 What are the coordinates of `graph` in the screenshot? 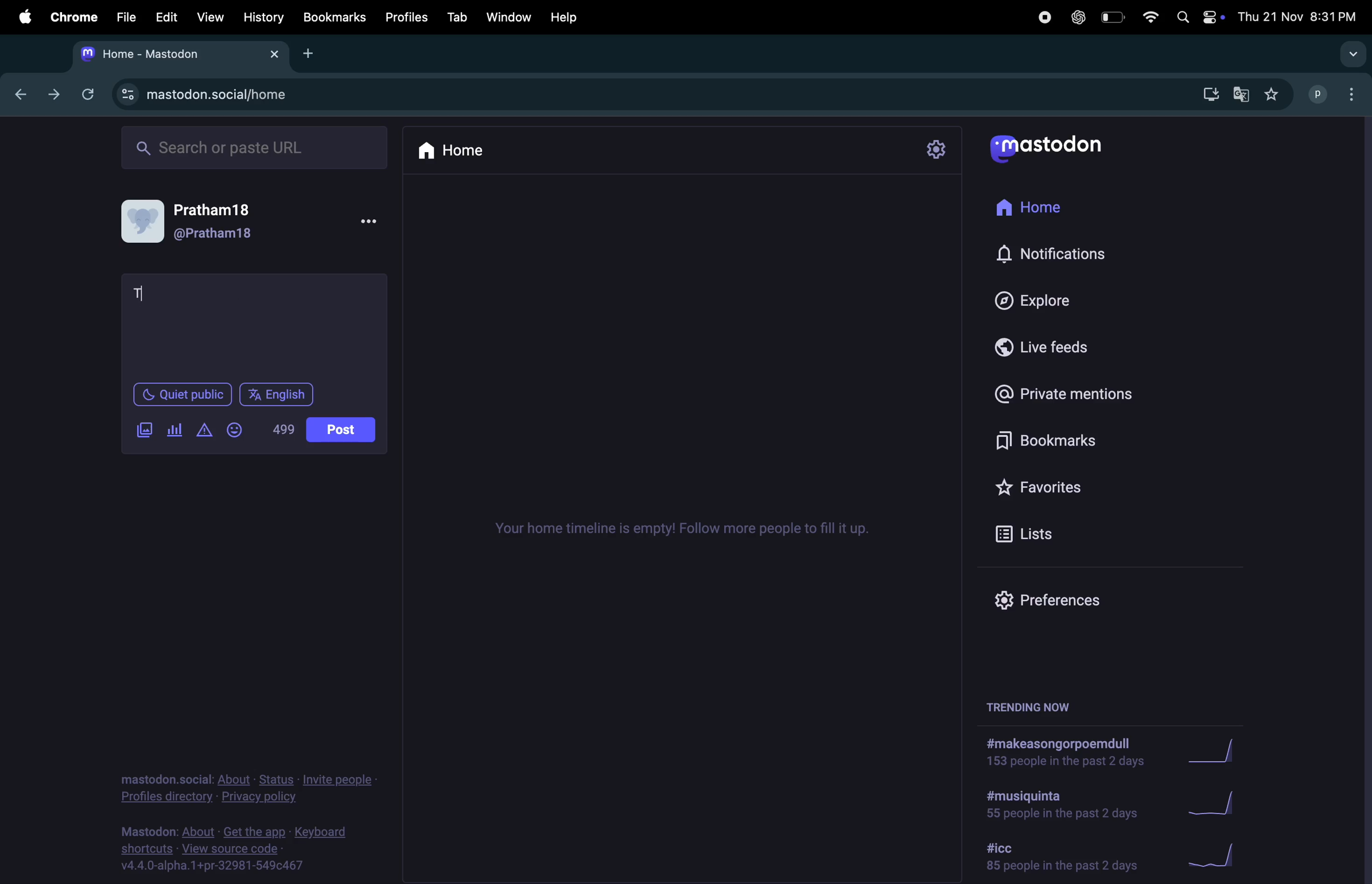 It's located at (1216, 804).